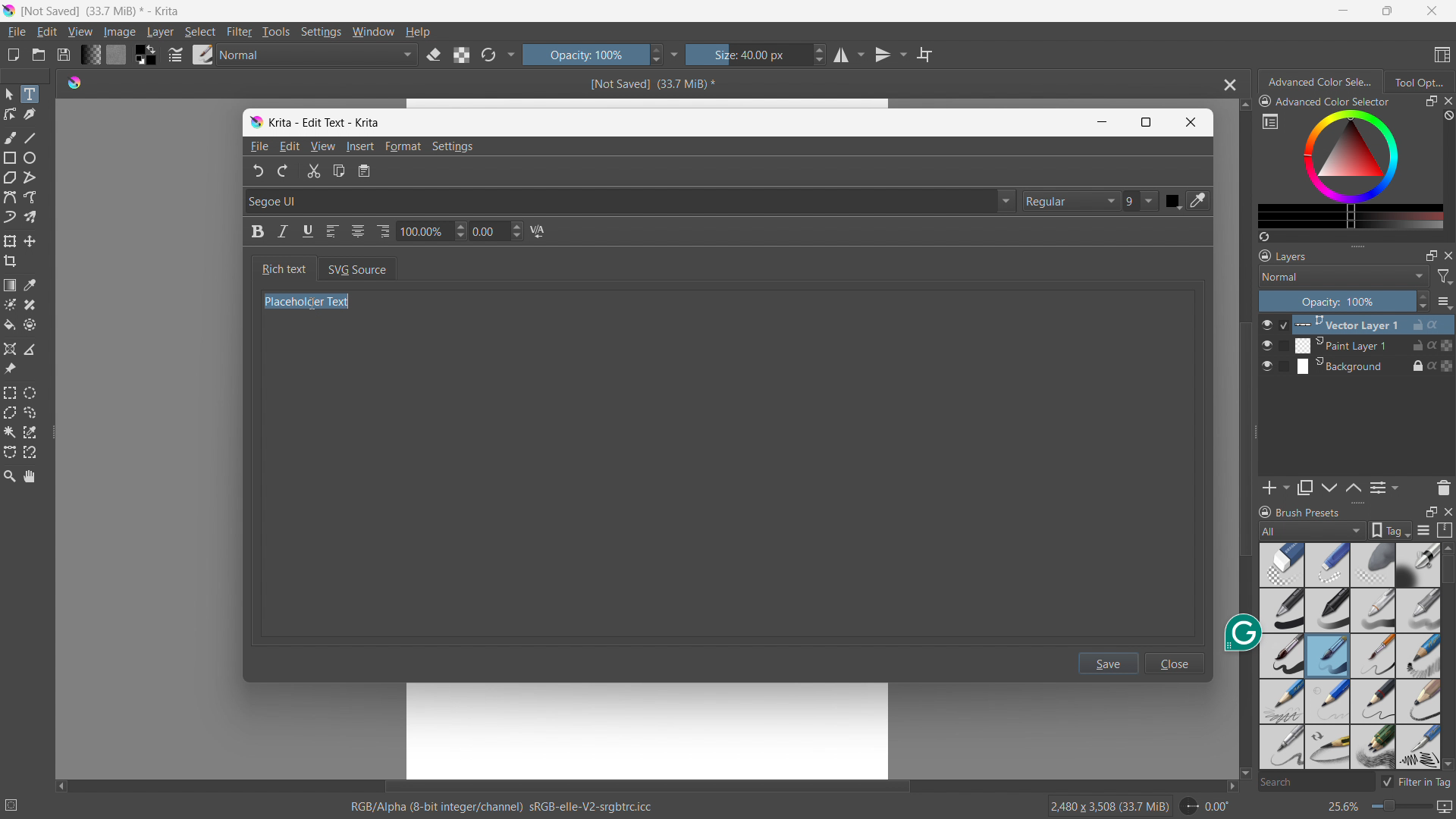 The width and height of the screenshot is (1456, 819). I want to click on scroll up, so click(1447, 548).